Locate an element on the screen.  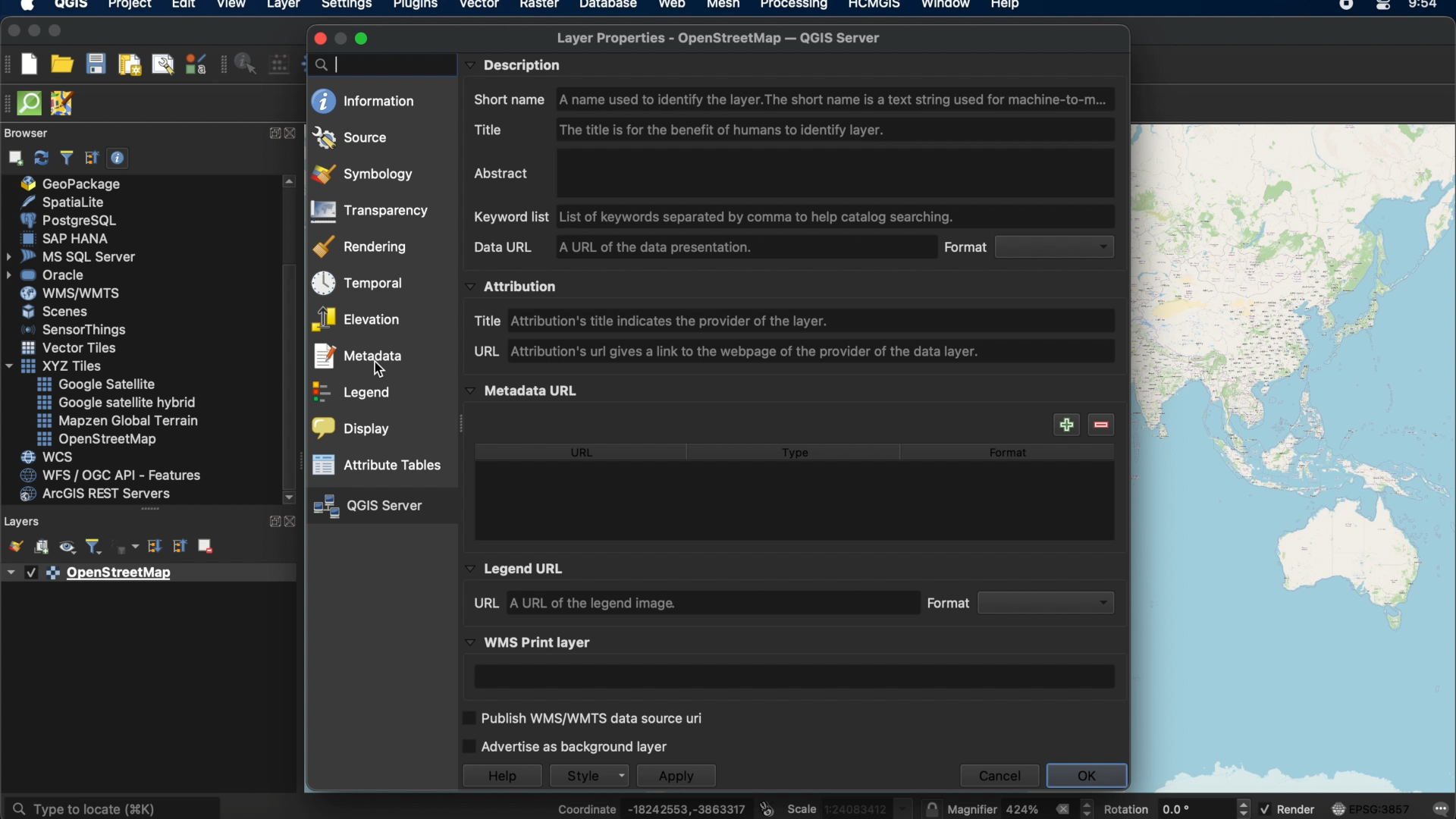
title attribute is located at coordinates (658, 318).